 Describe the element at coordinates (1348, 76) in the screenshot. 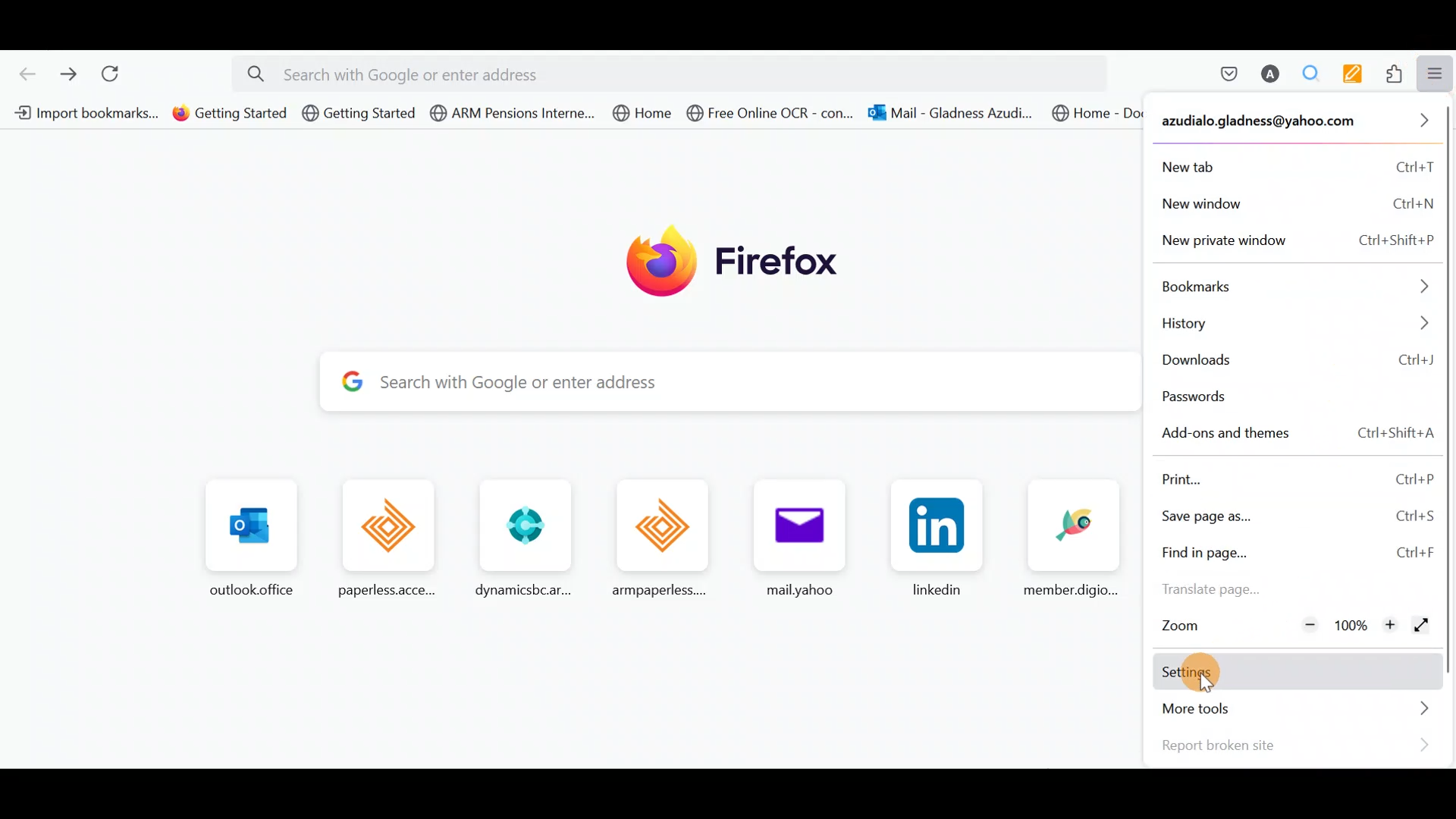

I see `Multi keywords highlighter` at that location.